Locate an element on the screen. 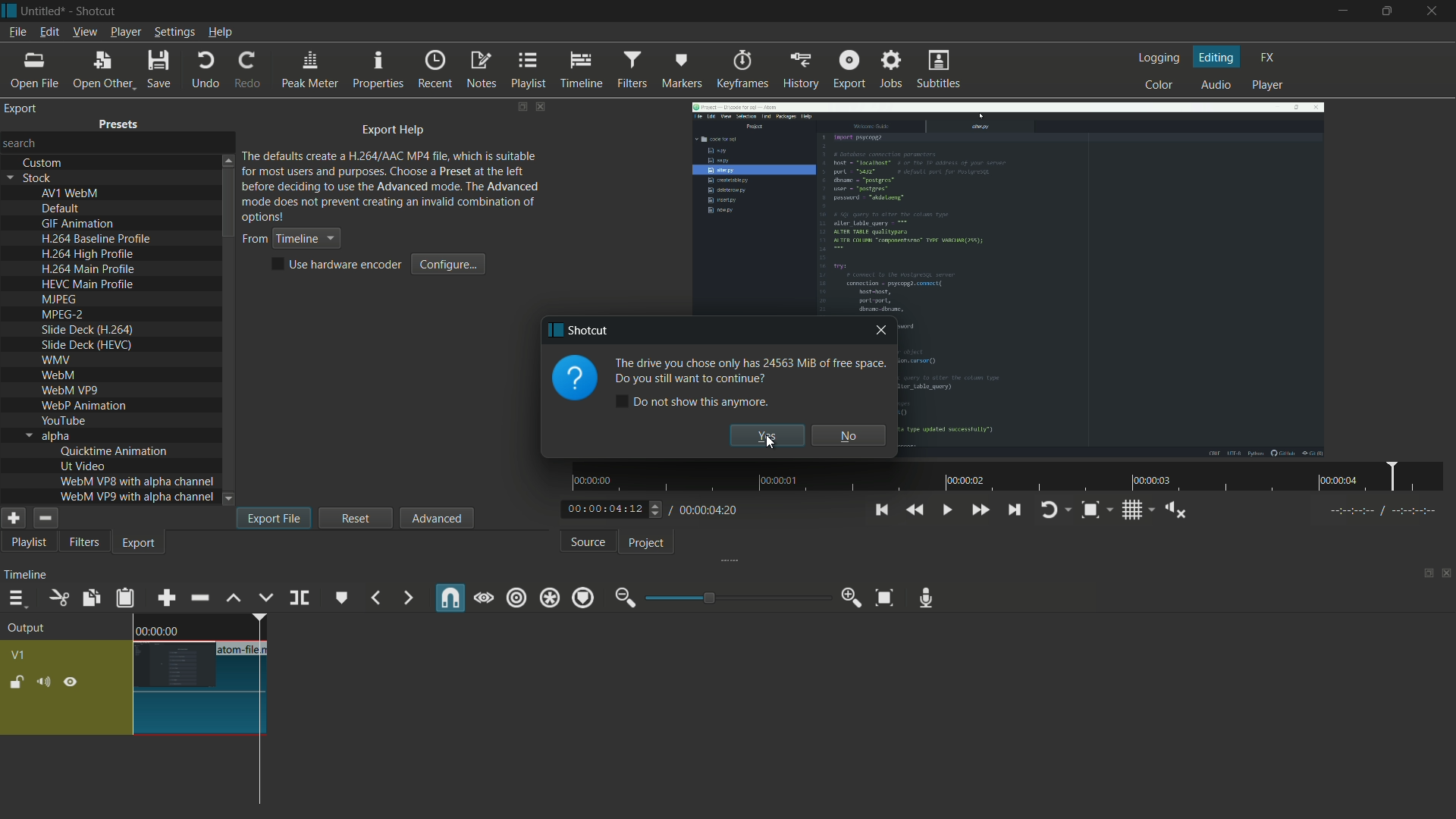  rewind/fast forward is located at coordinates (657, 509).